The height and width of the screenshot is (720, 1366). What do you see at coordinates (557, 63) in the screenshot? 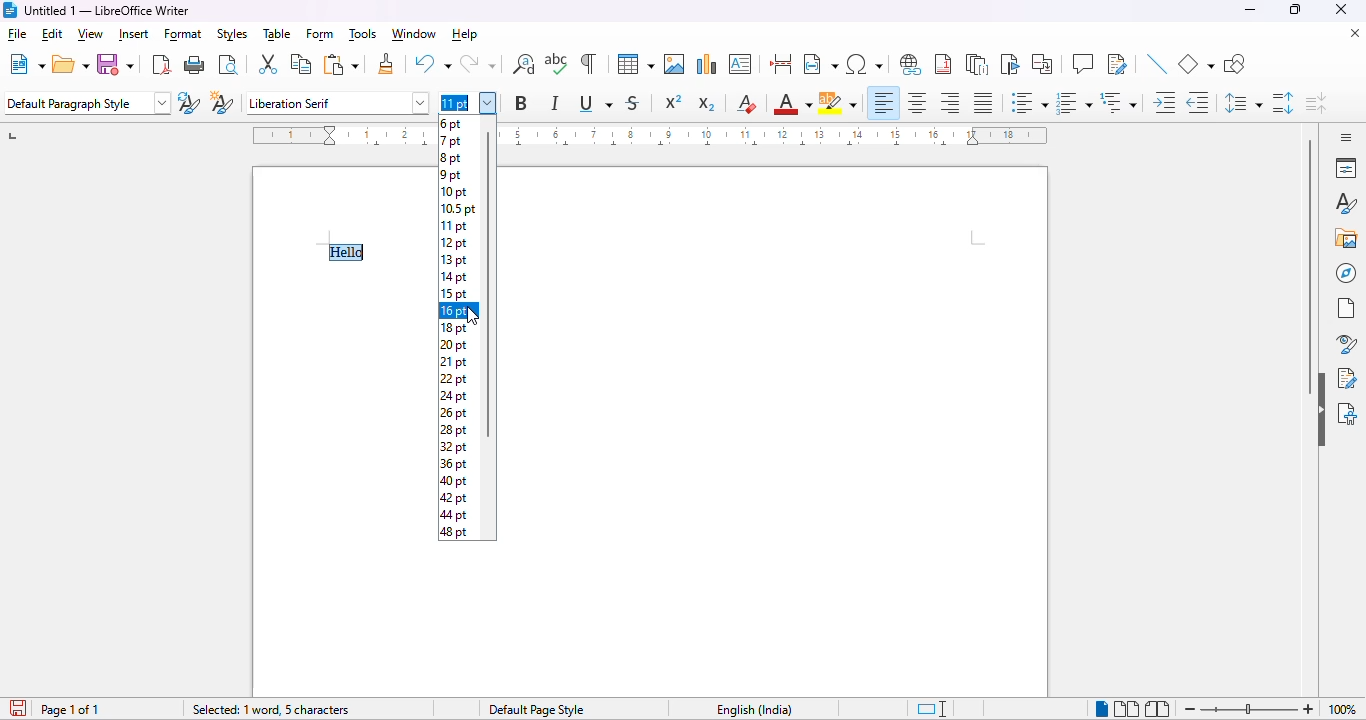
I see `check spelling` at bounding box center [557, 63].